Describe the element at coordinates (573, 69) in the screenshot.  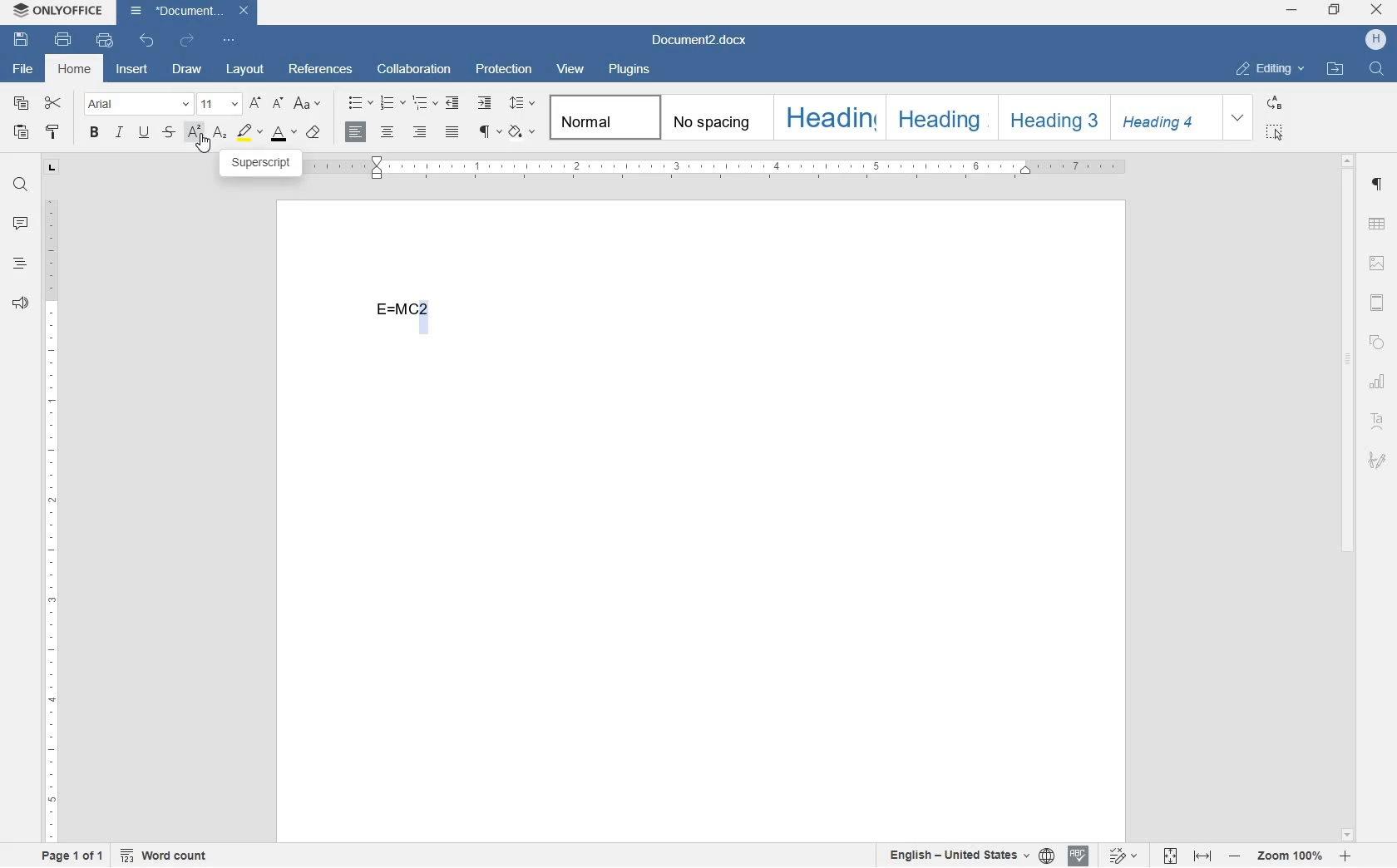
I see `view` at that location.